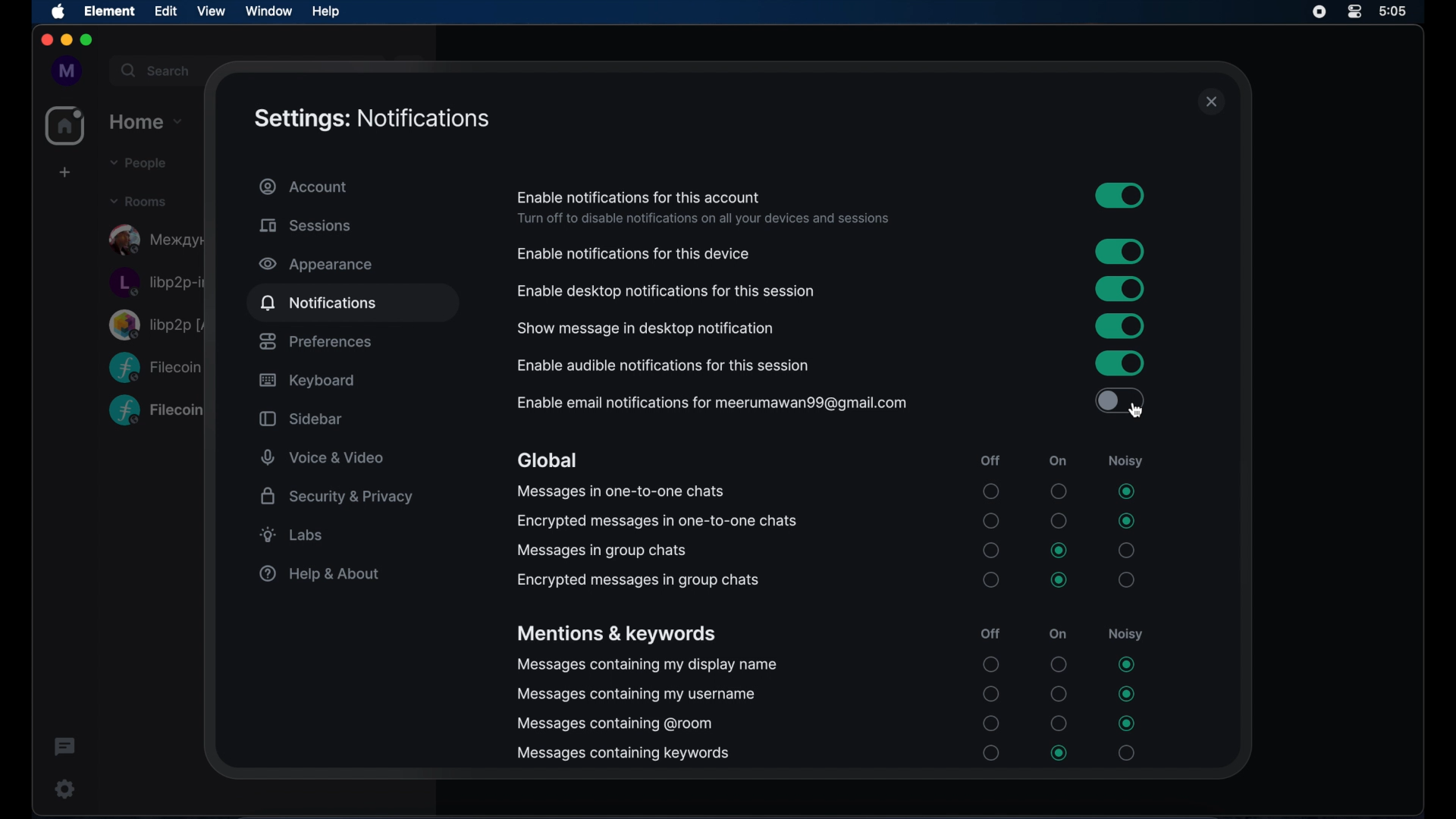 The image size is (1456, 819). What do you see at coordinates (110, 11) in the screenshot?
I see `element` at bounding box center [110, 11].